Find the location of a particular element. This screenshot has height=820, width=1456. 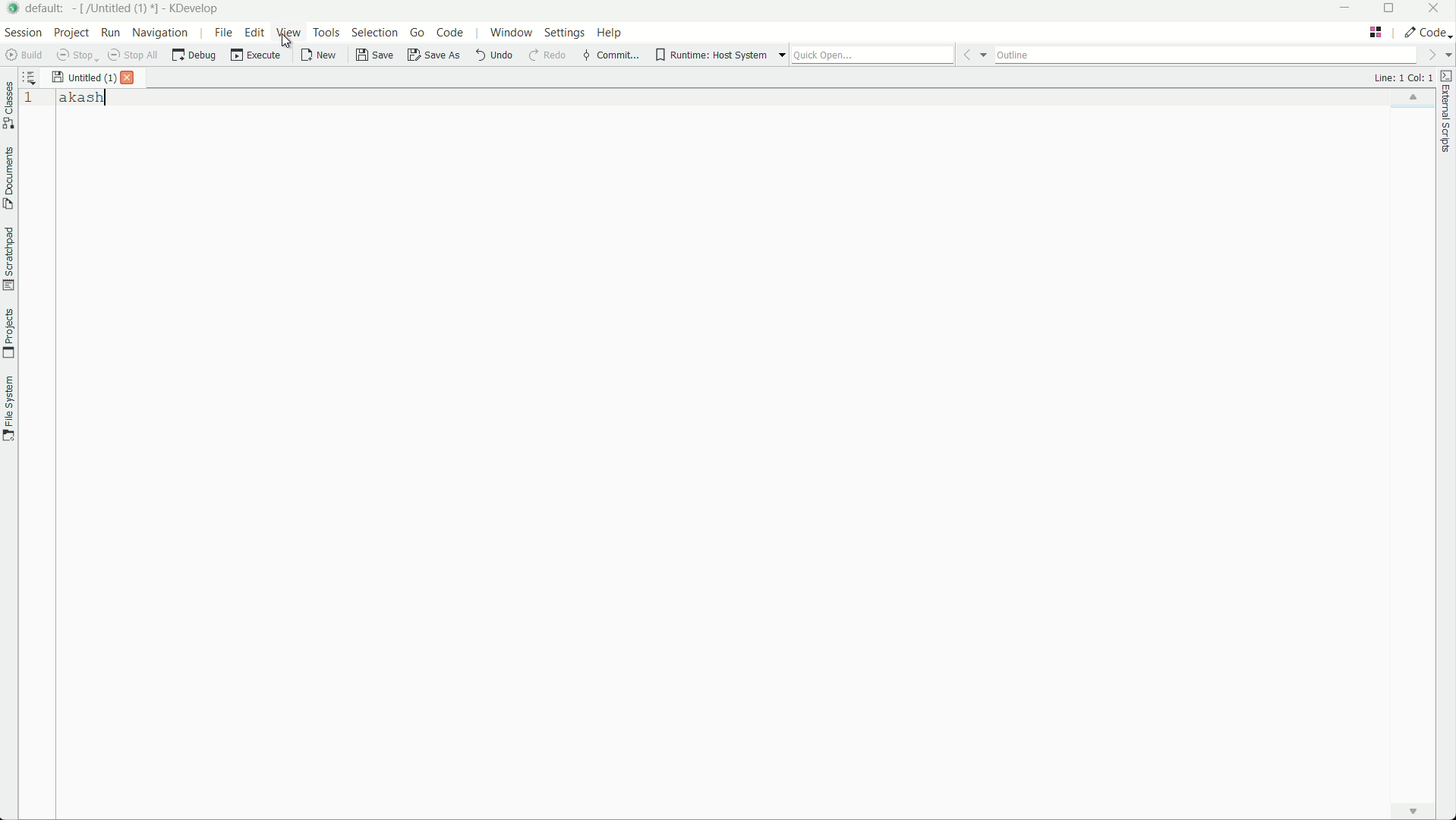

minimize is located at coordinates (1349, 10).